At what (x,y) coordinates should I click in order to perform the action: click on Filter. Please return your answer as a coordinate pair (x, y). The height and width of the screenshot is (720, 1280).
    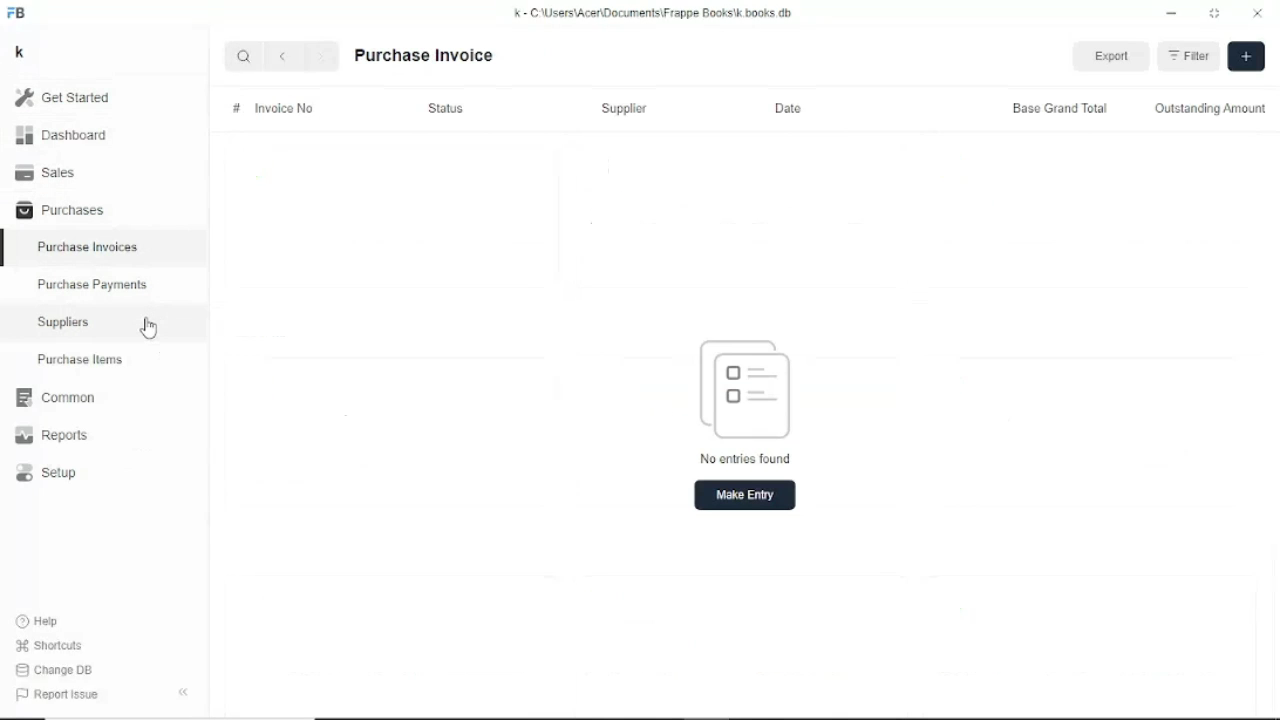
    Looking at the image, I should click on (1191, 57).